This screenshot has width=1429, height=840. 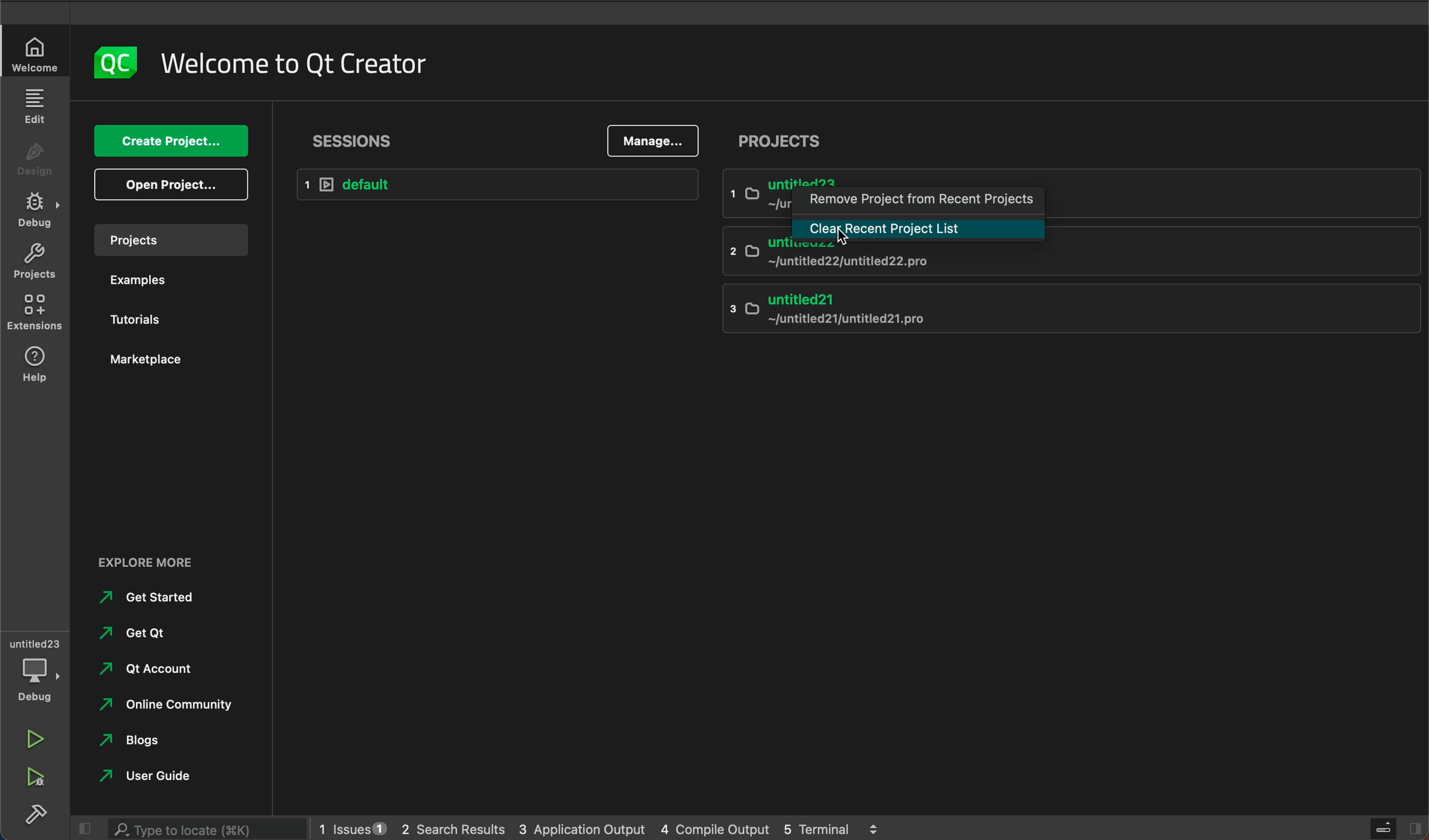 What do you see at coordinates (498, 183) in the screenshot?
I see `default` at bounding box center [498, 183].